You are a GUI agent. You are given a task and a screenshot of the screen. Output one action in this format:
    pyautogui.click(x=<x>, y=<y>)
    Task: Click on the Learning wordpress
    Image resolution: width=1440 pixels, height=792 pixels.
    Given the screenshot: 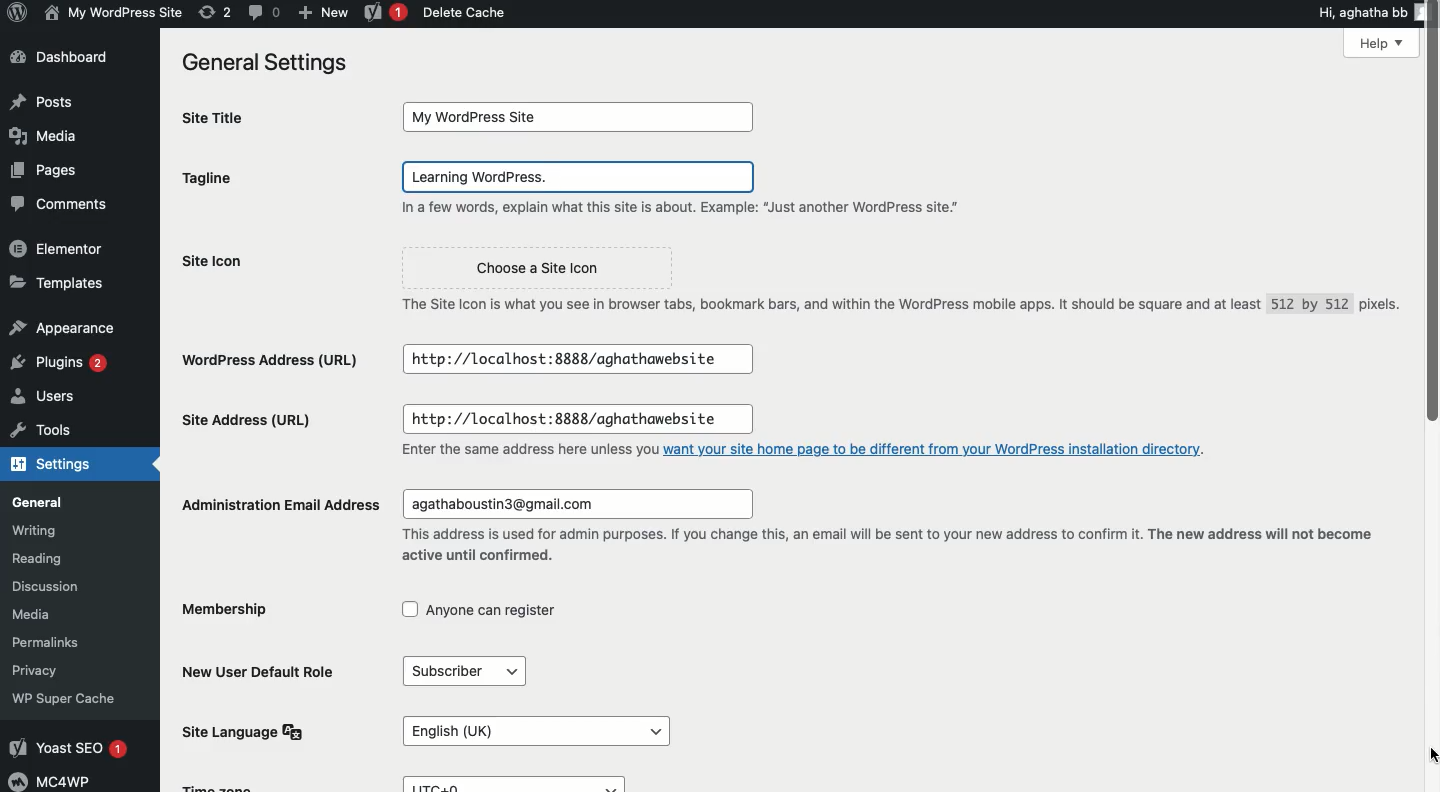 What is the action you would take?
    pyautogui.click(x=579, y=177)
    